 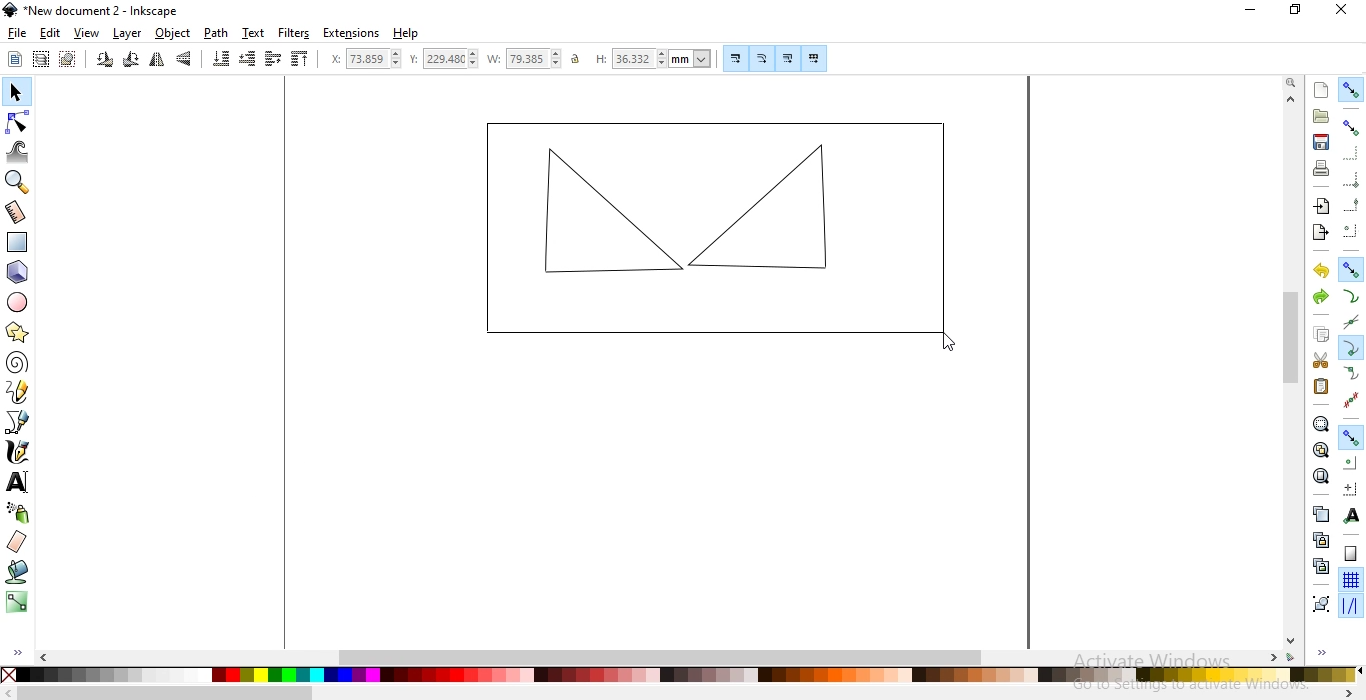 What do you see at coordinates (579, 60) in the screenshot?
I see `unlock` at bounding box center [579, 60].